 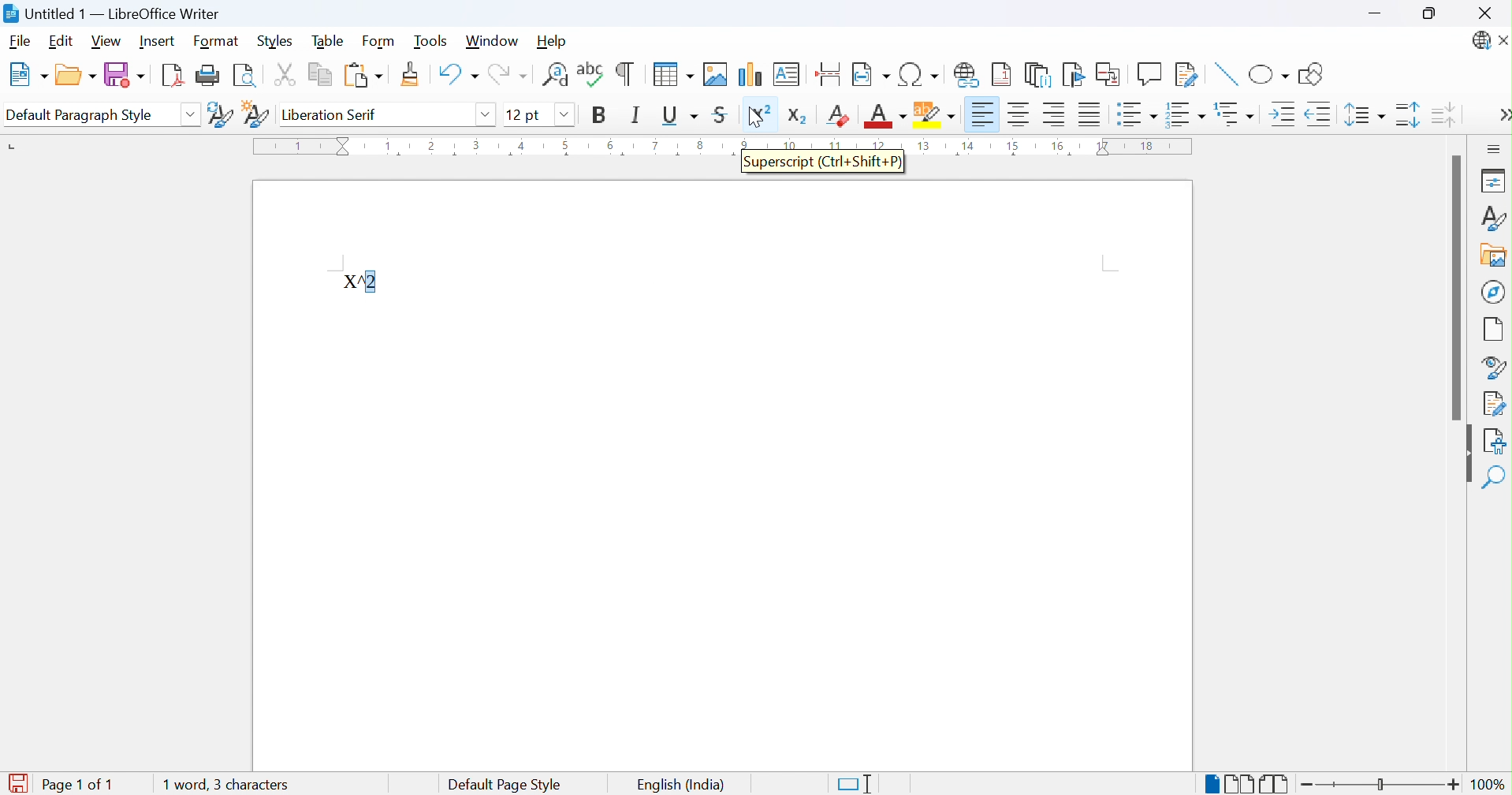 I want to click on Tools, so click(x=429, y=41).